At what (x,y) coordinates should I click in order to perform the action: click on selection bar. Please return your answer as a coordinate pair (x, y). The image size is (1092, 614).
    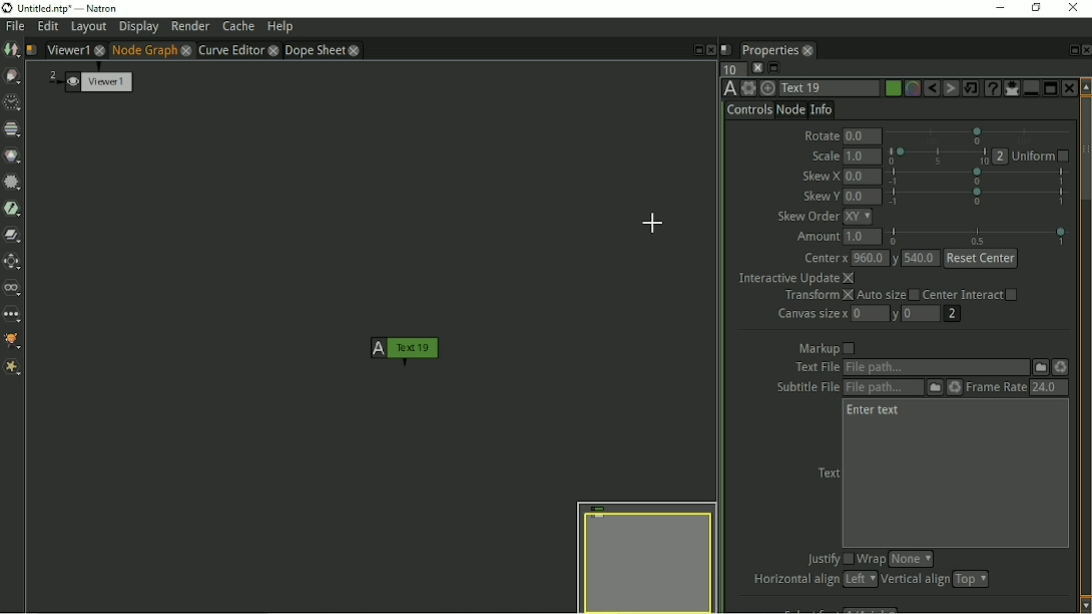
    Looking at the image, I should click on (977, 198).